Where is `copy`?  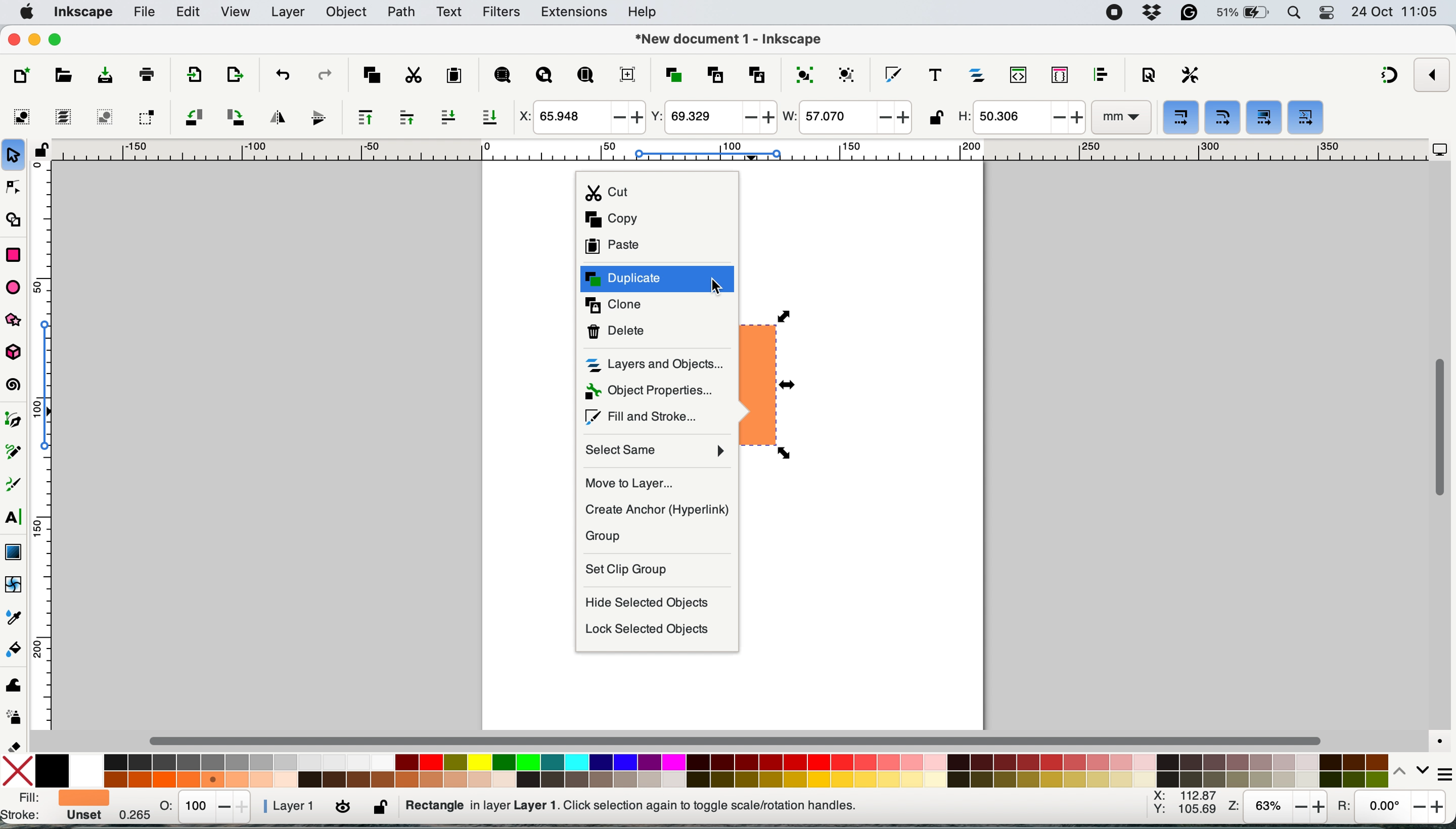 copy is located at coordinates (654, 220).